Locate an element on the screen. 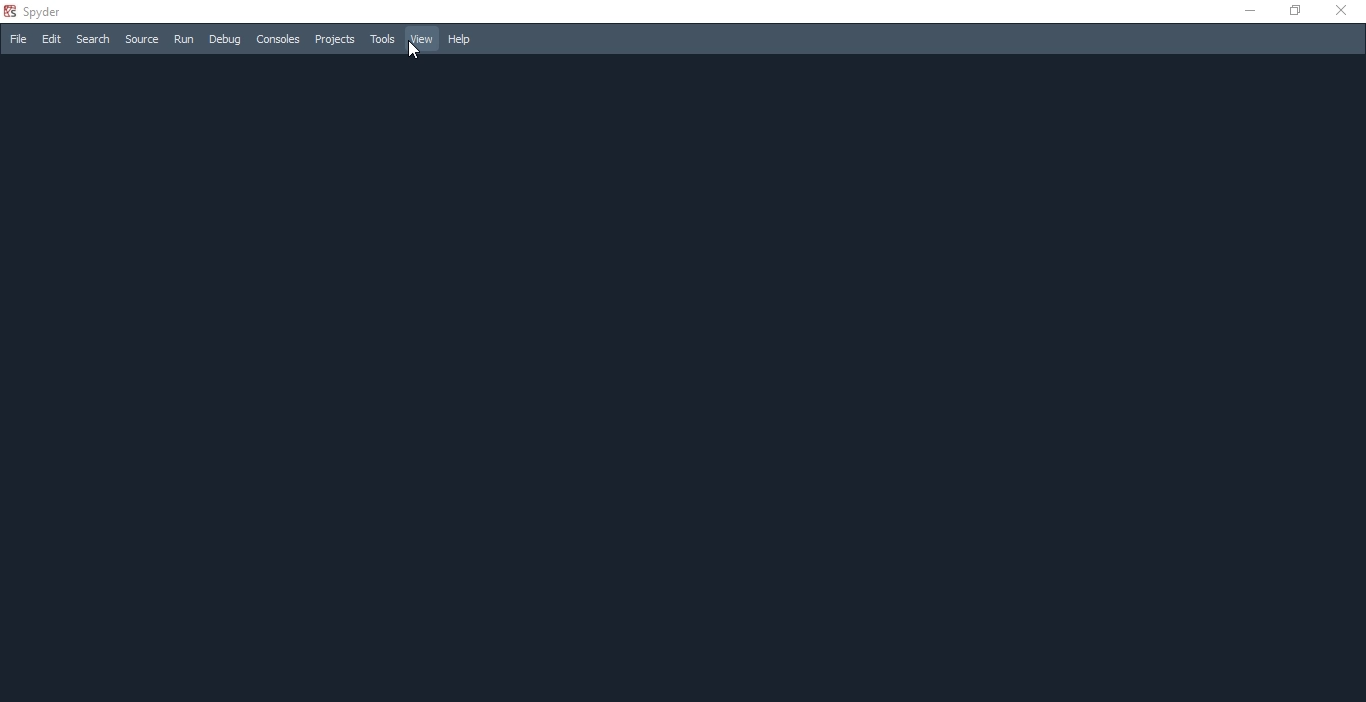  restore is located at coordinates (1293, 10).